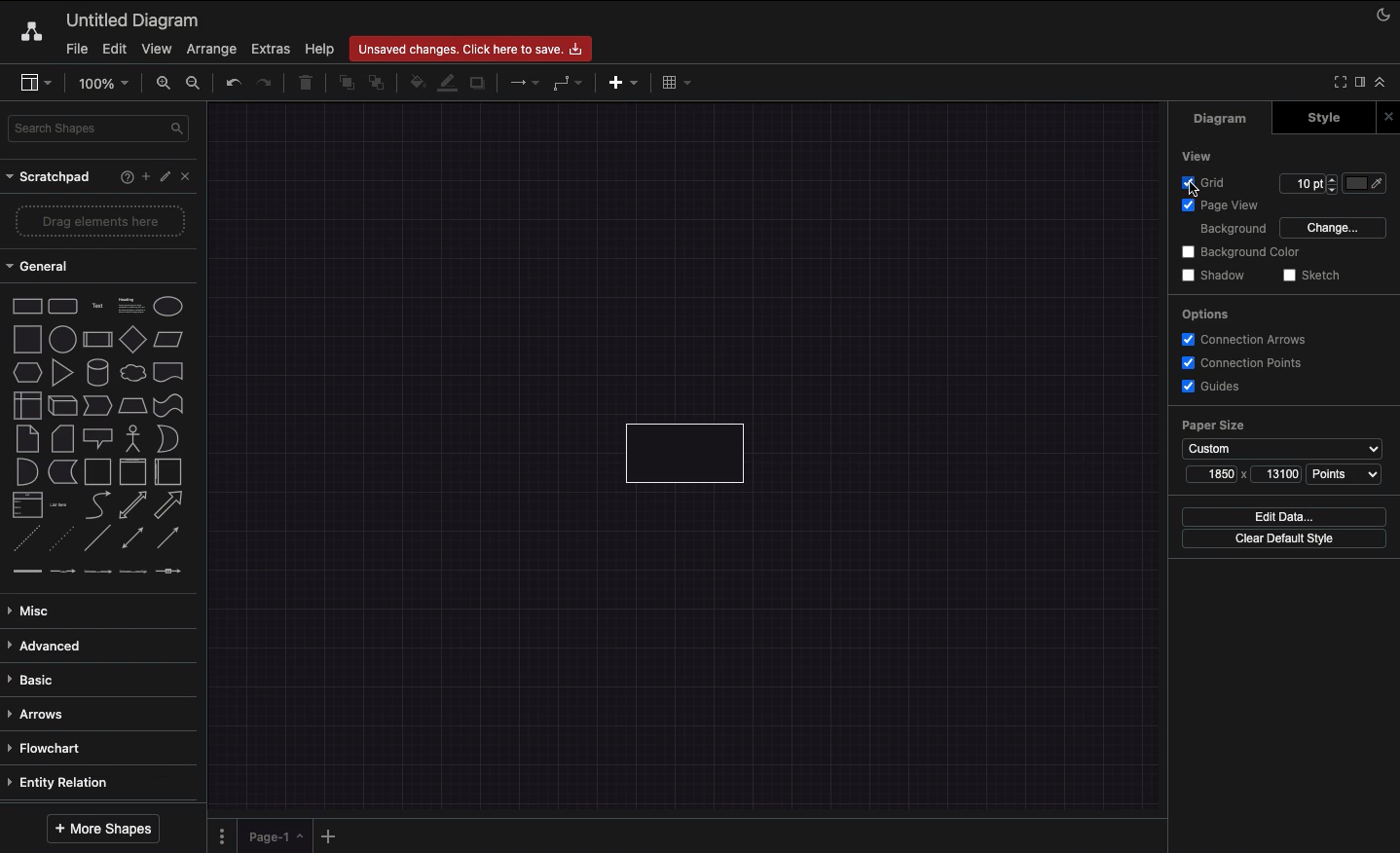  Describe the element at coordinates (377, 86) in the screenshot. I see `To back` at that location.